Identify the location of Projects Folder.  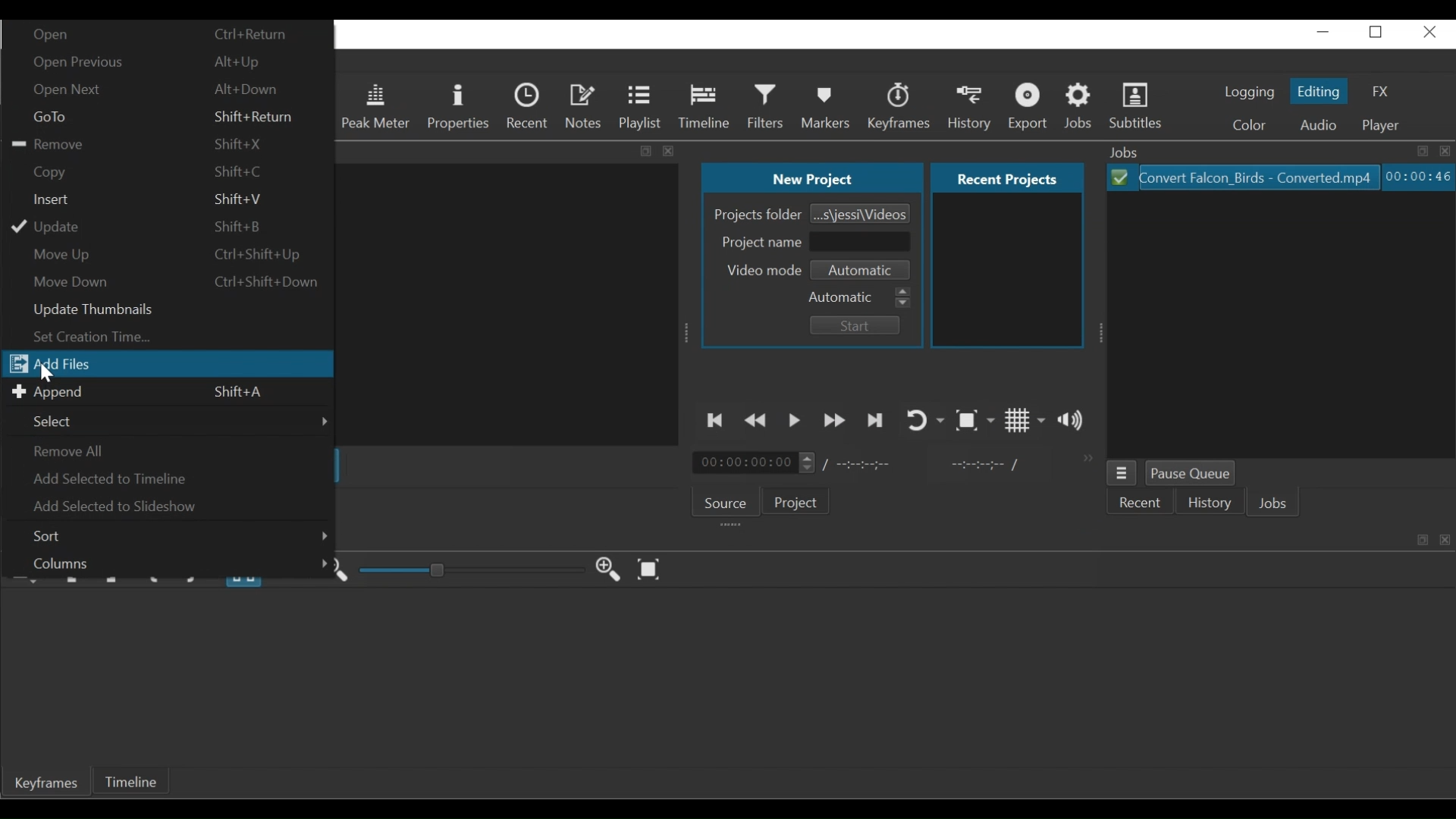
(757, 216).